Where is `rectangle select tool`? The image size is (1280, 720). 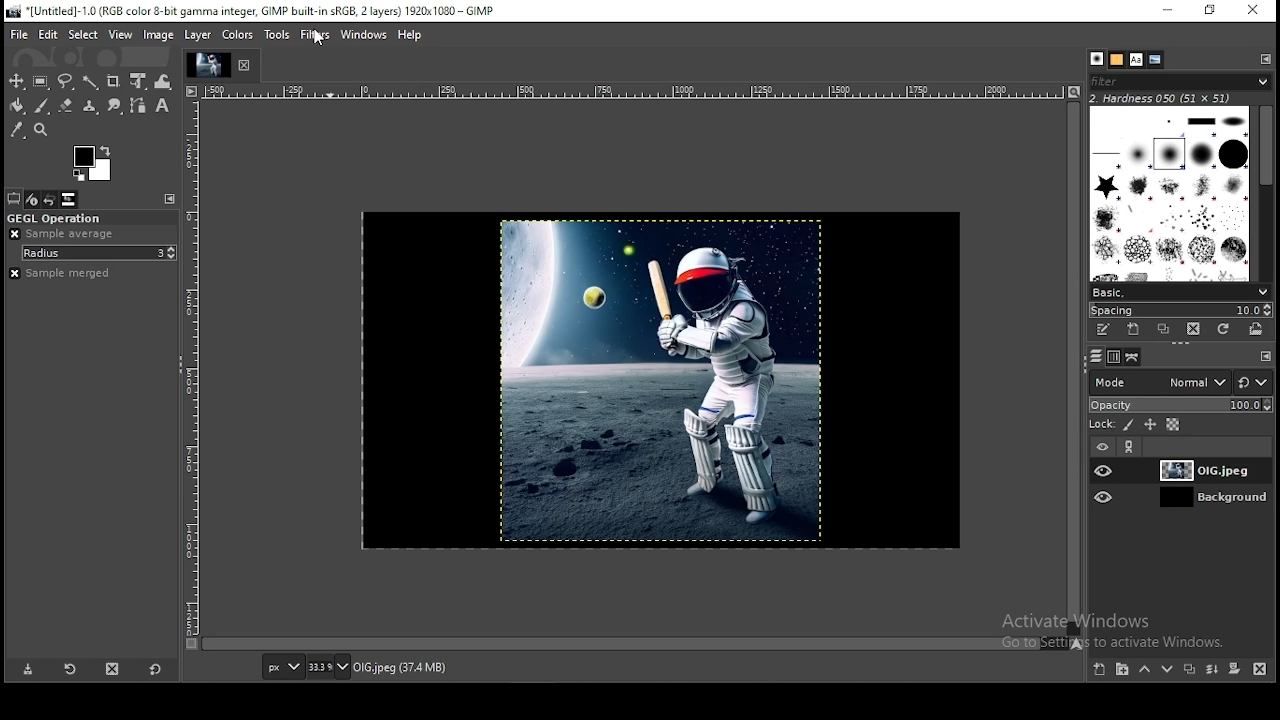 rectangle select tool is located at coordinates (43, 82).